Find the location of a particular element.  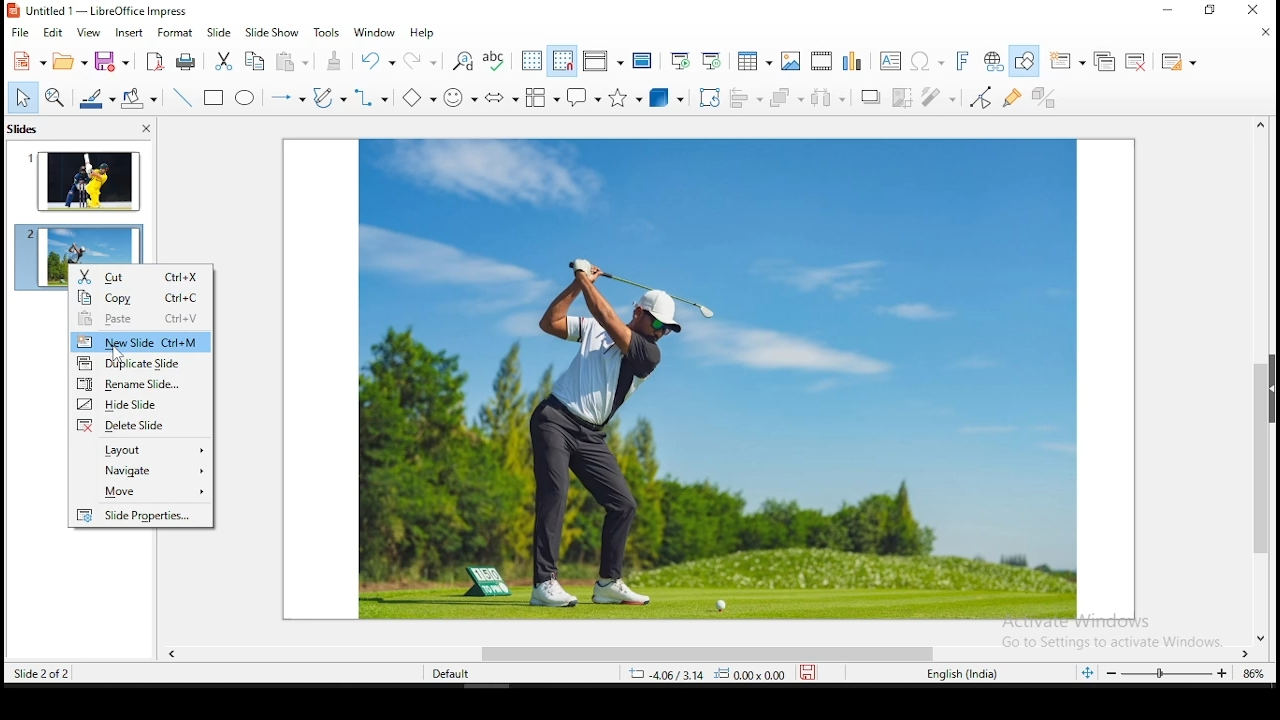

tools is located at coordinates (326, 33).